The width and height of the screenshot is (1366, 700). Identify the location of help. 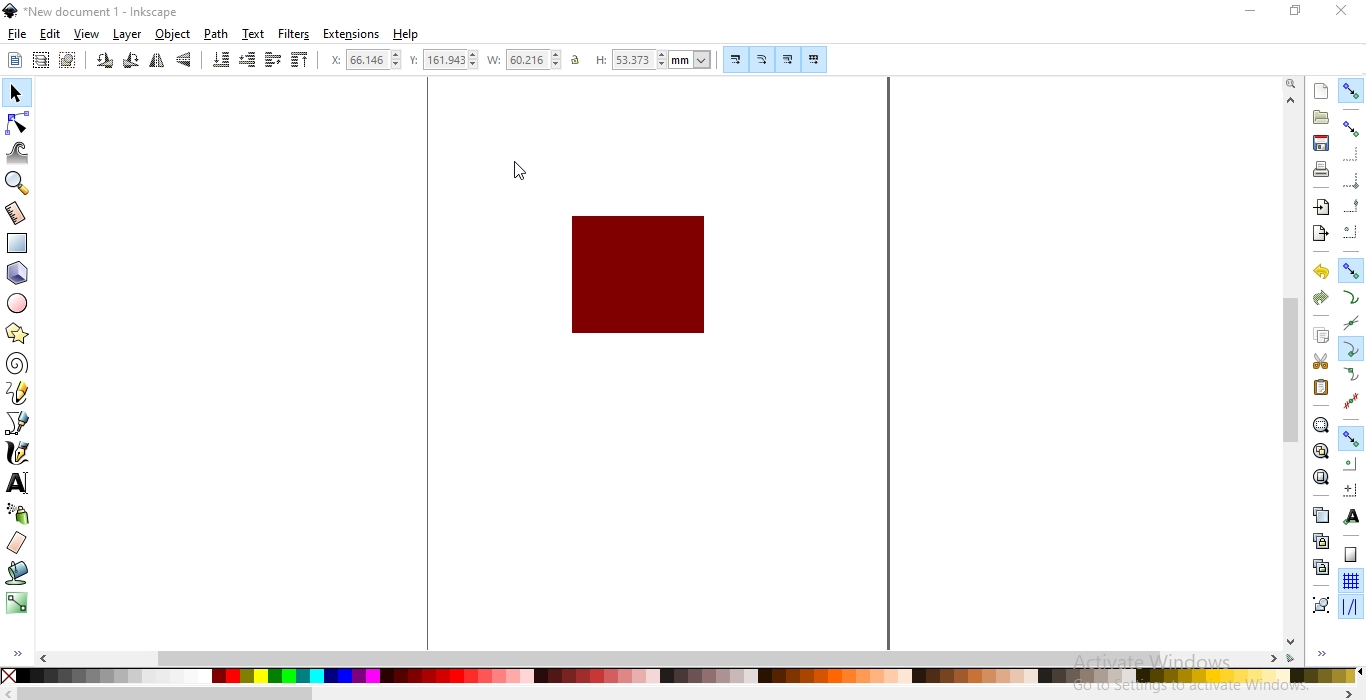
(406, 35).